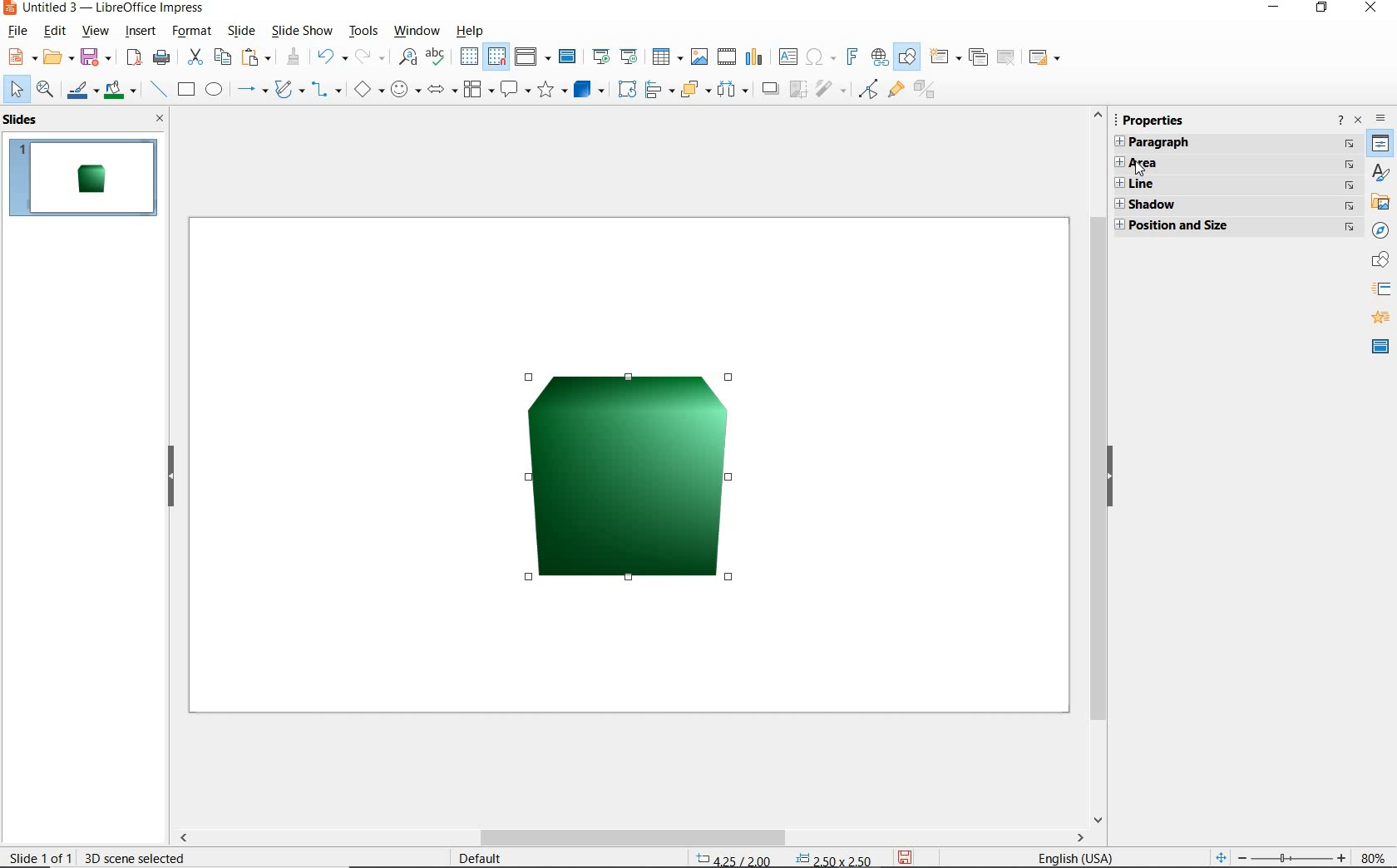  What do you see at coordinates (880, 56) in the screenshot?
I see `insert hyperlink` at bounding box center [880, 56].